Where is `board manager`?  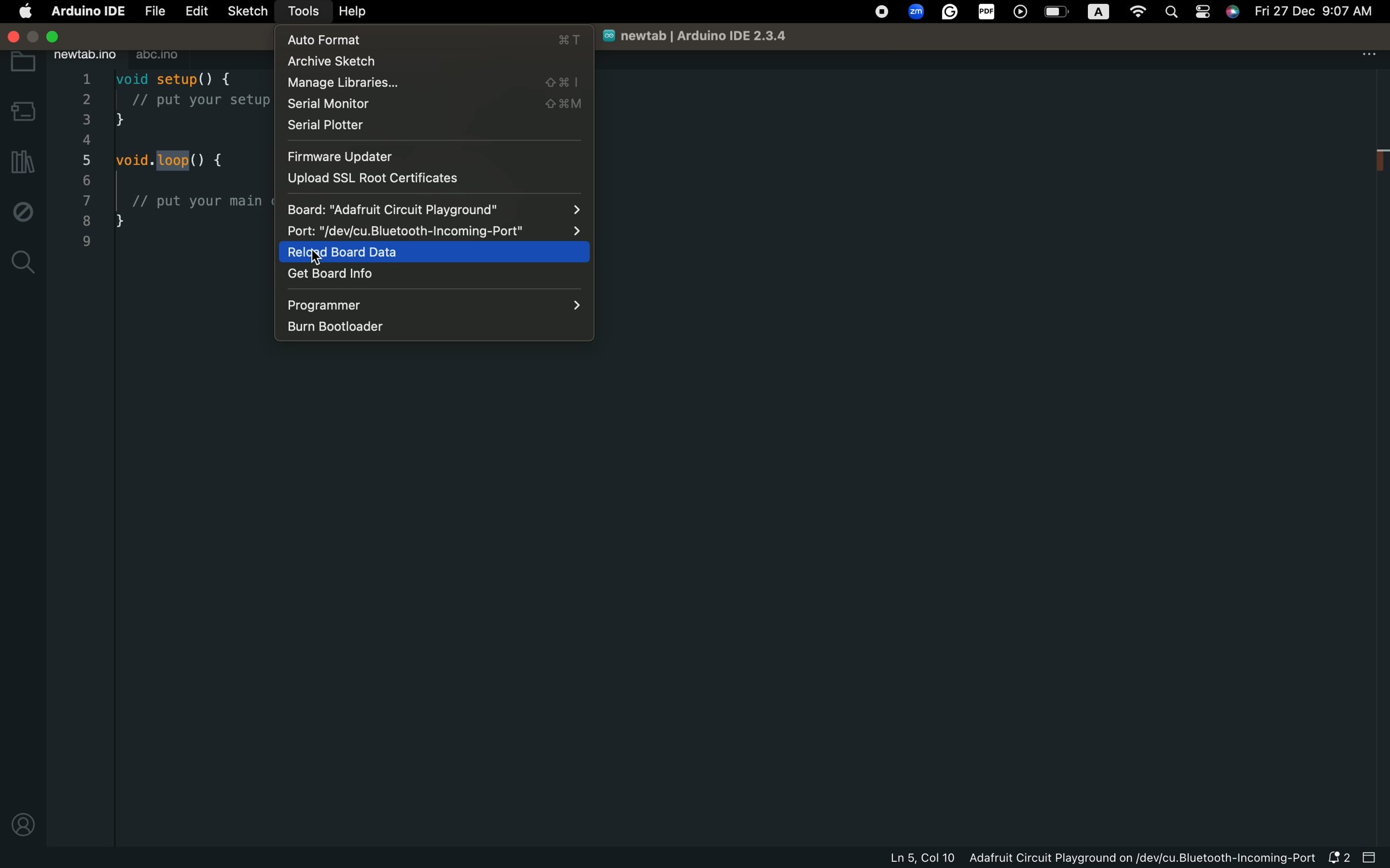
board manager is located at coordinates (22, 111).